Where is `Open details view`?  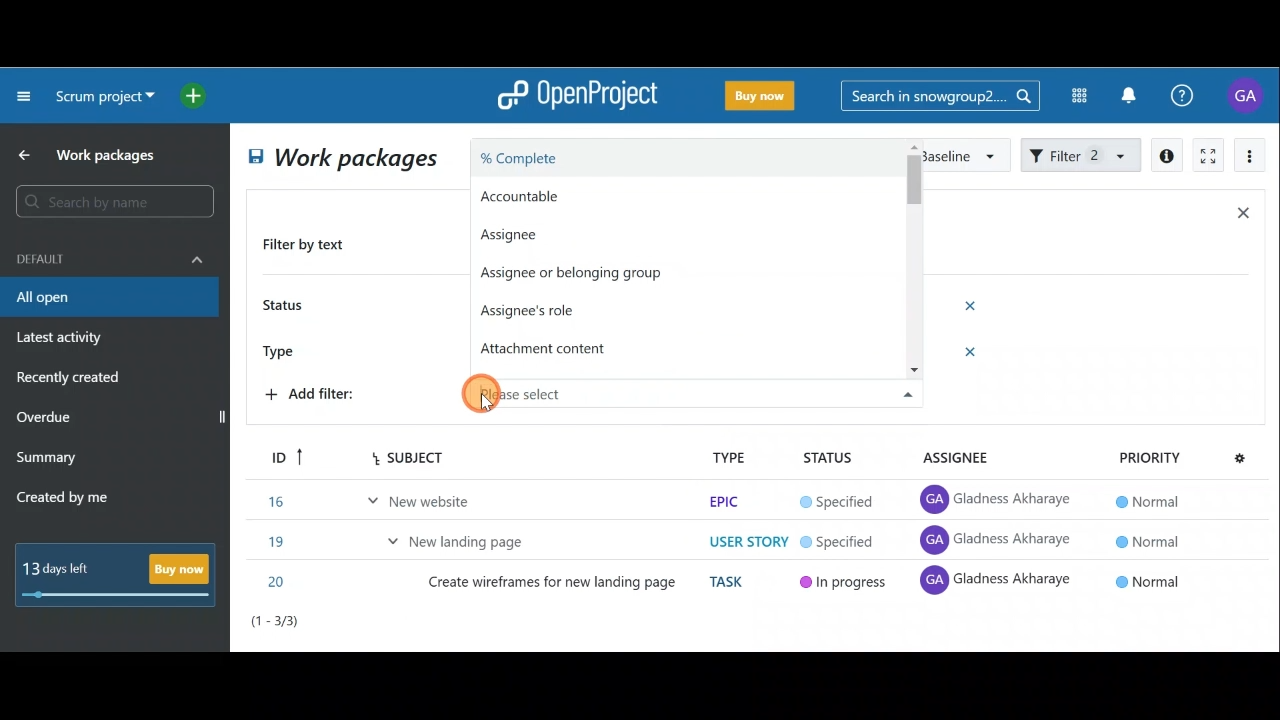 Open details view is located at coordinates (1168, 156).